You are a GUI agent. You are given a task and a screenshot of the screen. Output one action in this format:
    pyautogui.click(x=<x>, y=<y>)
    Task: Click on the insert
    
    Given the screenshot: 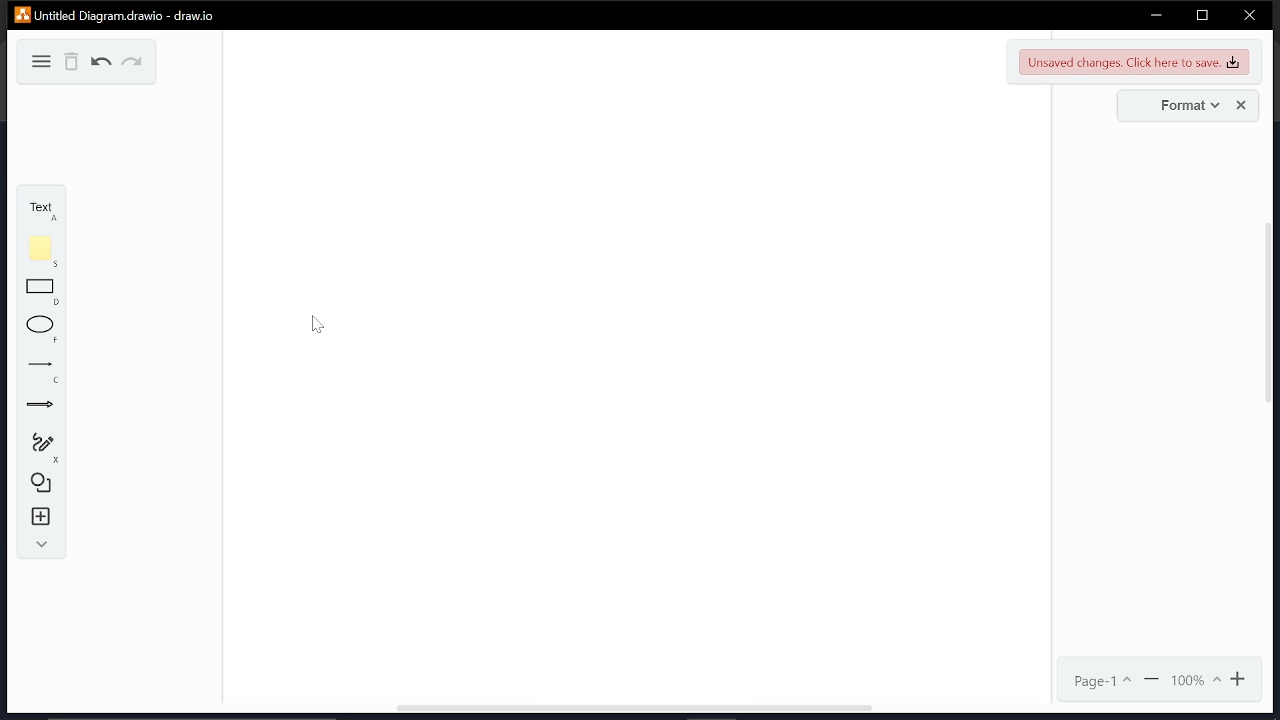 What is the action you would take?
    pyautogui.click(x=42, y=517)
    